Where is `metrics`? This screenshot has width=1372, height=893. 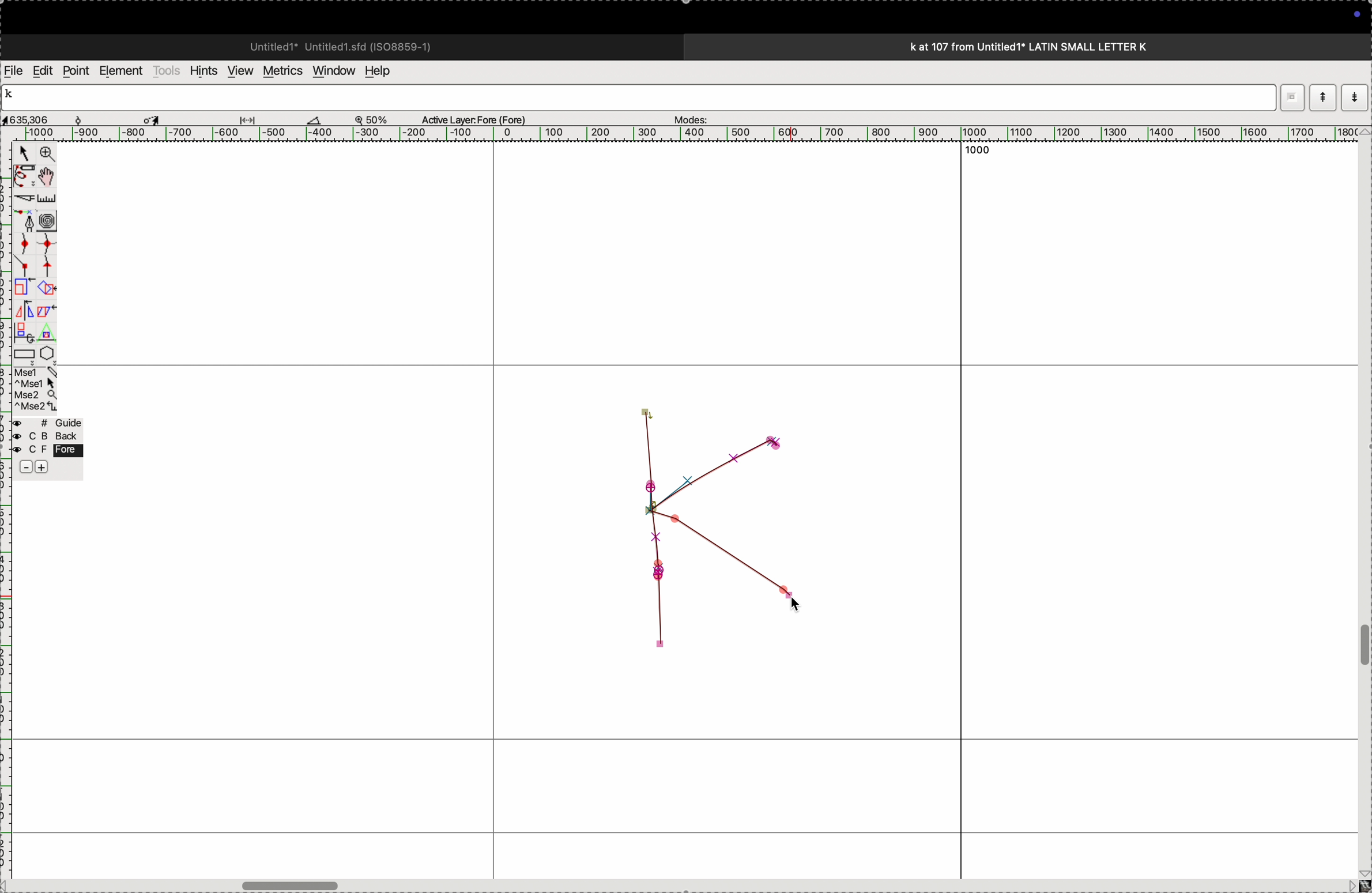
metrics is located at coordinates (281, 71).